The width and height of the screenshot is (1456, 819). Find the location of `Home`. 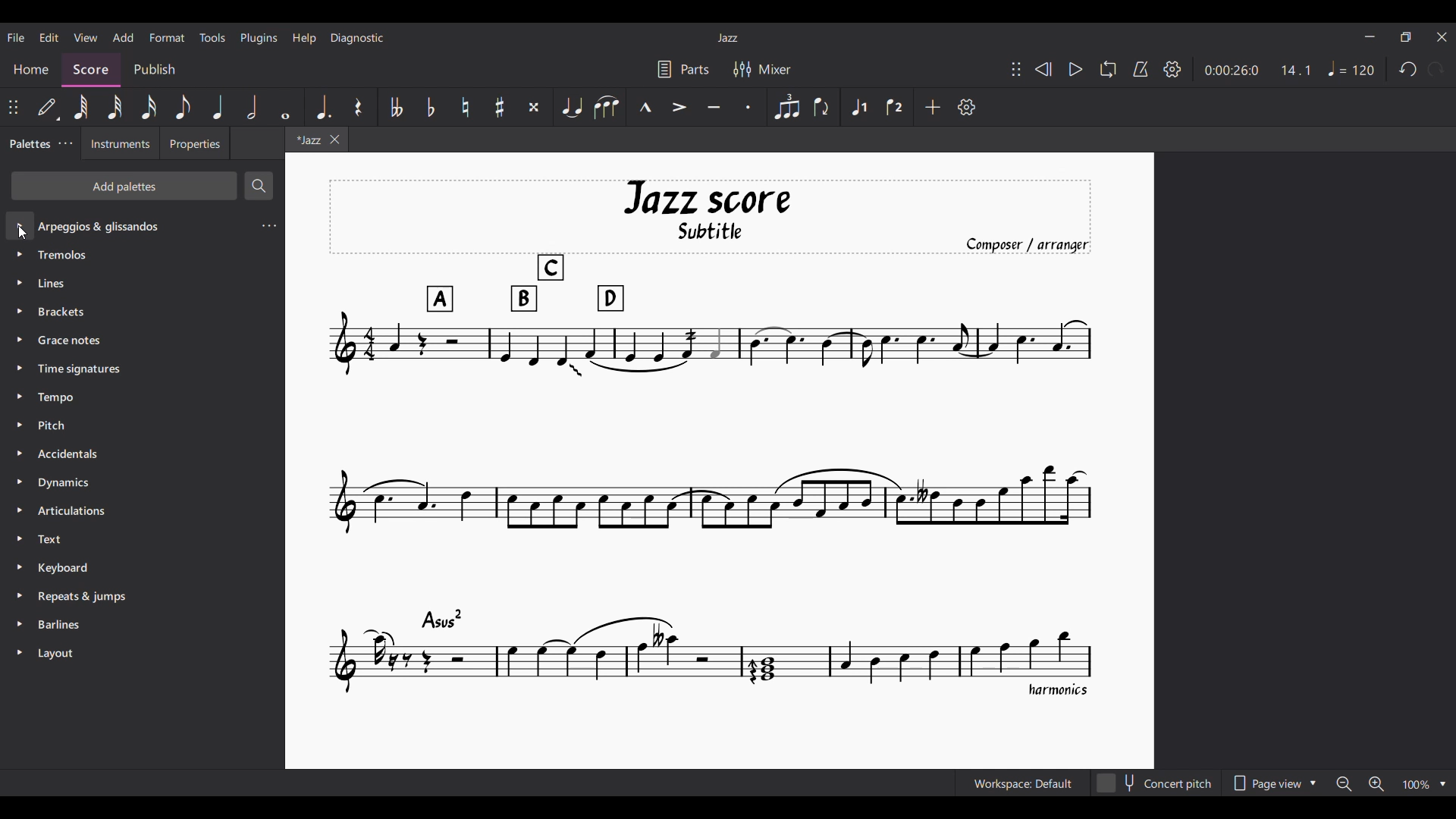

Home is located at coordinates (30, 69).